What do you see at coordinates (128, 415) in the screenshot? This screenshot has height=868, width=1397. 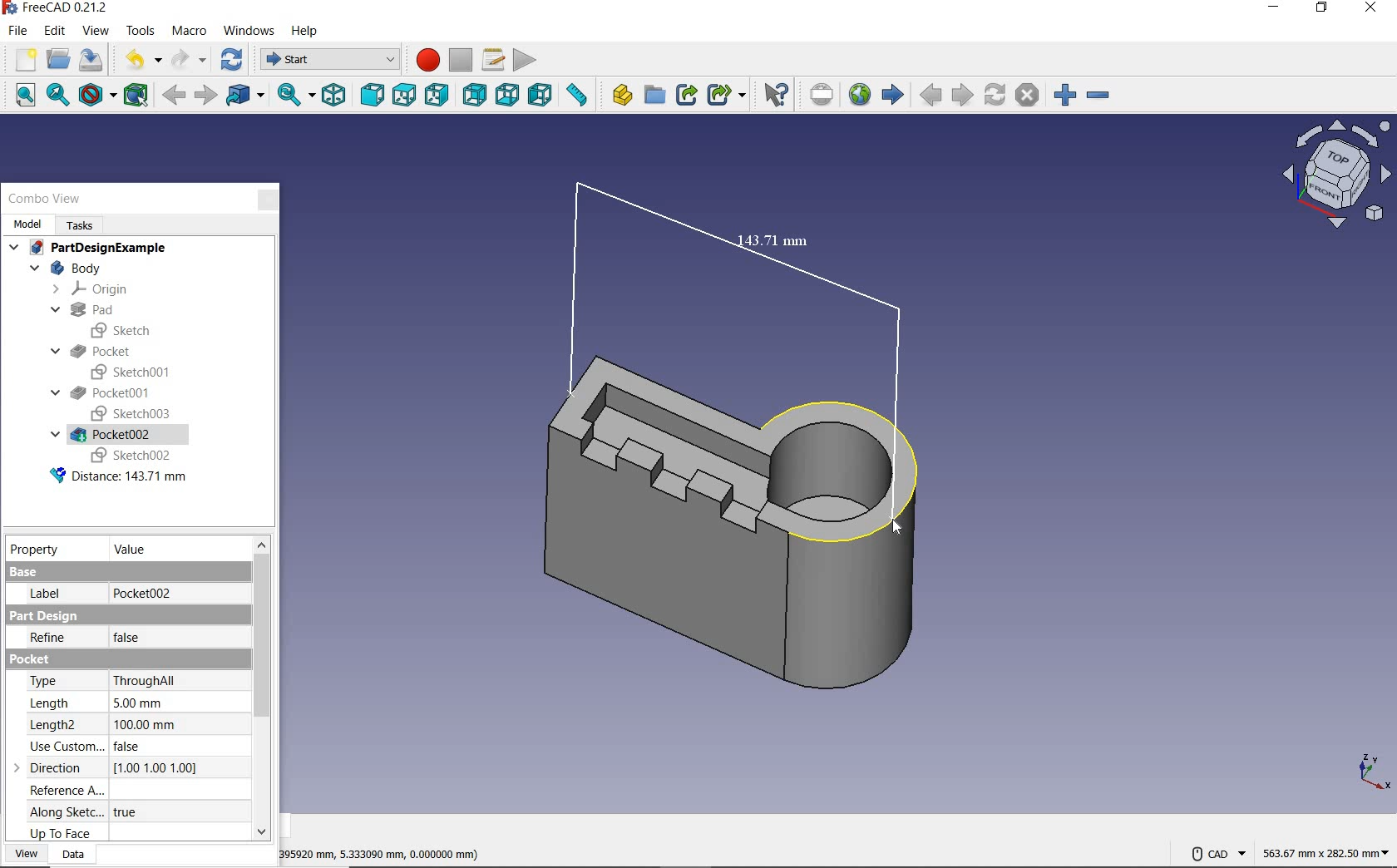 I see `SKETCH003` at bounding box center [128, 415].